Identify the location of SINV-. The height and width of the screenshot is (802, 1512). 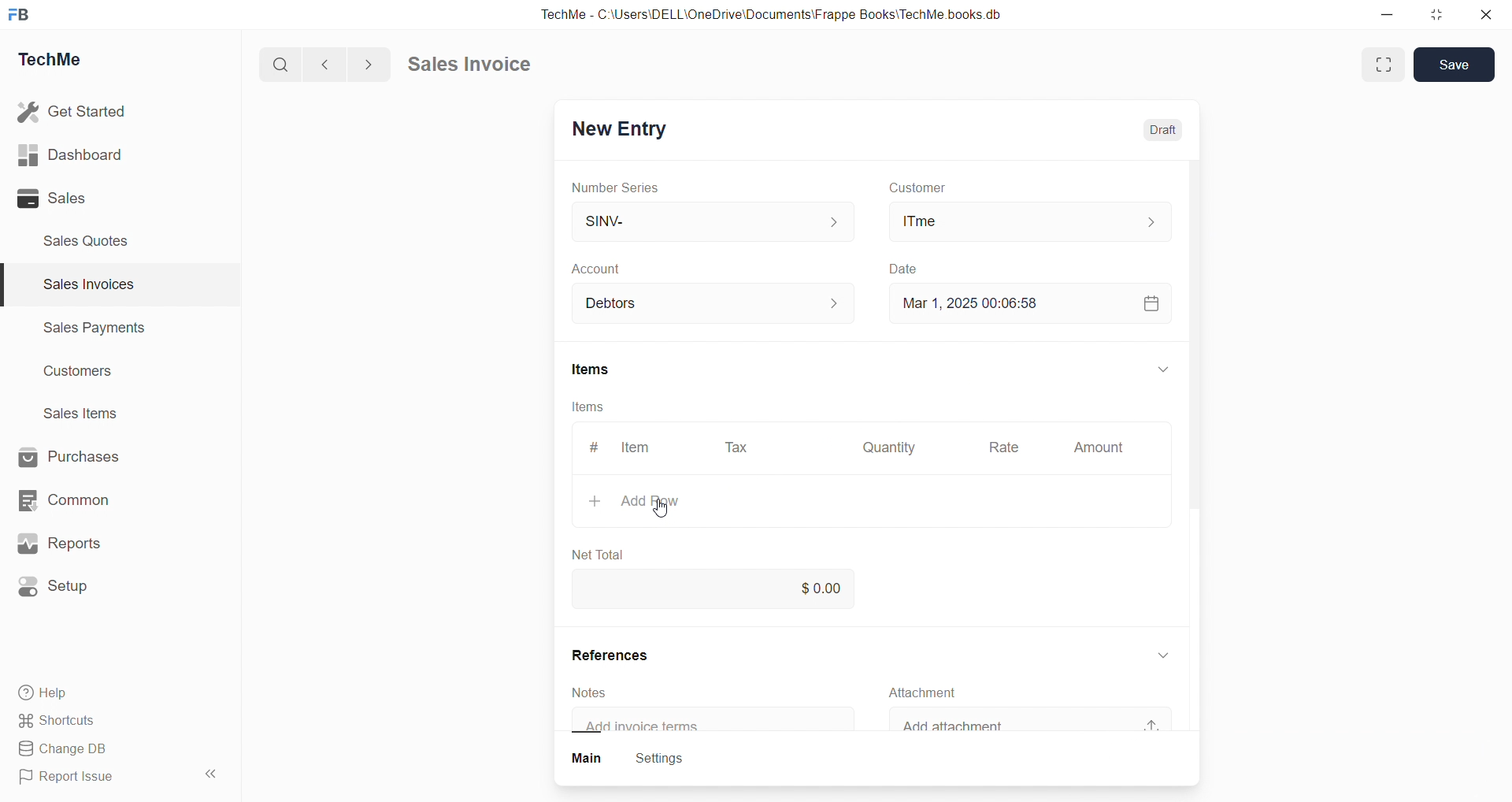
(694, 221).